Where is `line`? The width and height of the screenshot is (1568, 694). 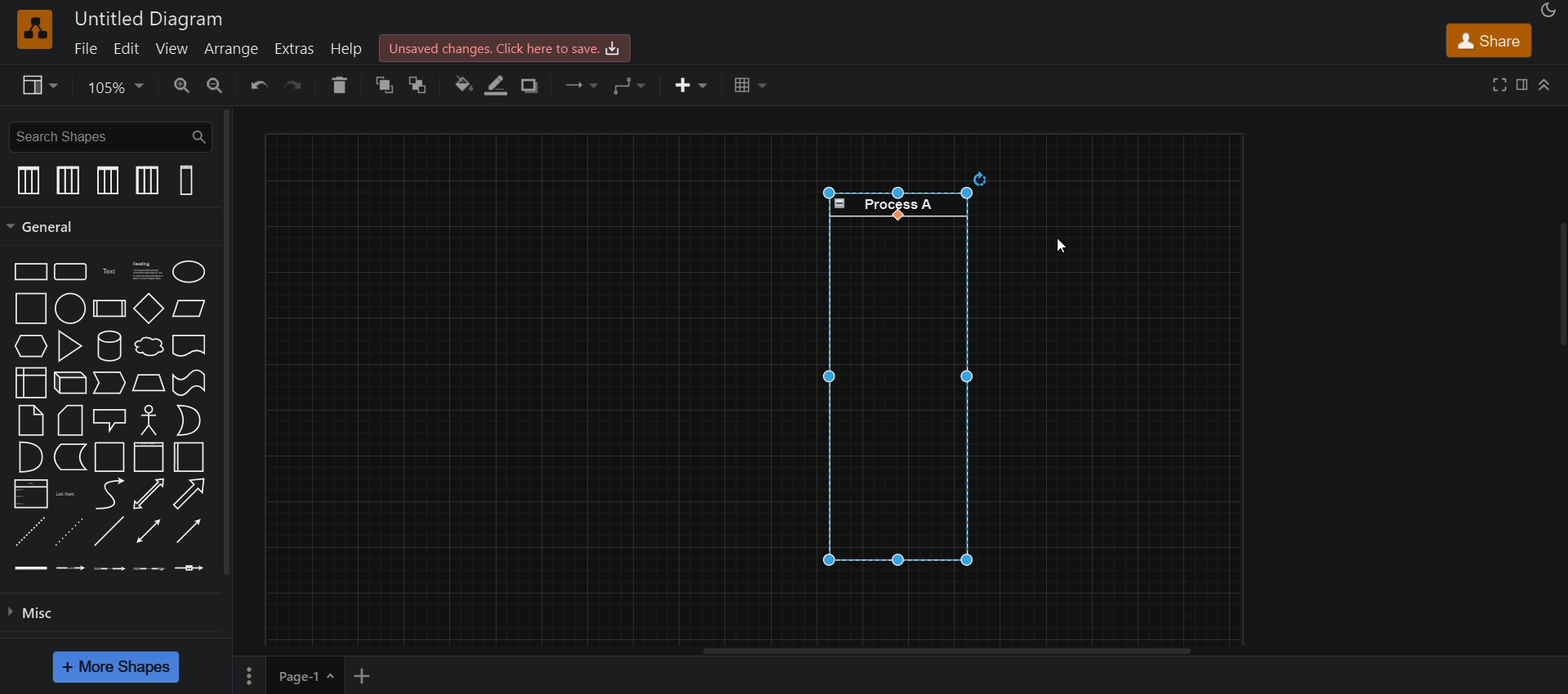 line is located at coordinates (109, 531).